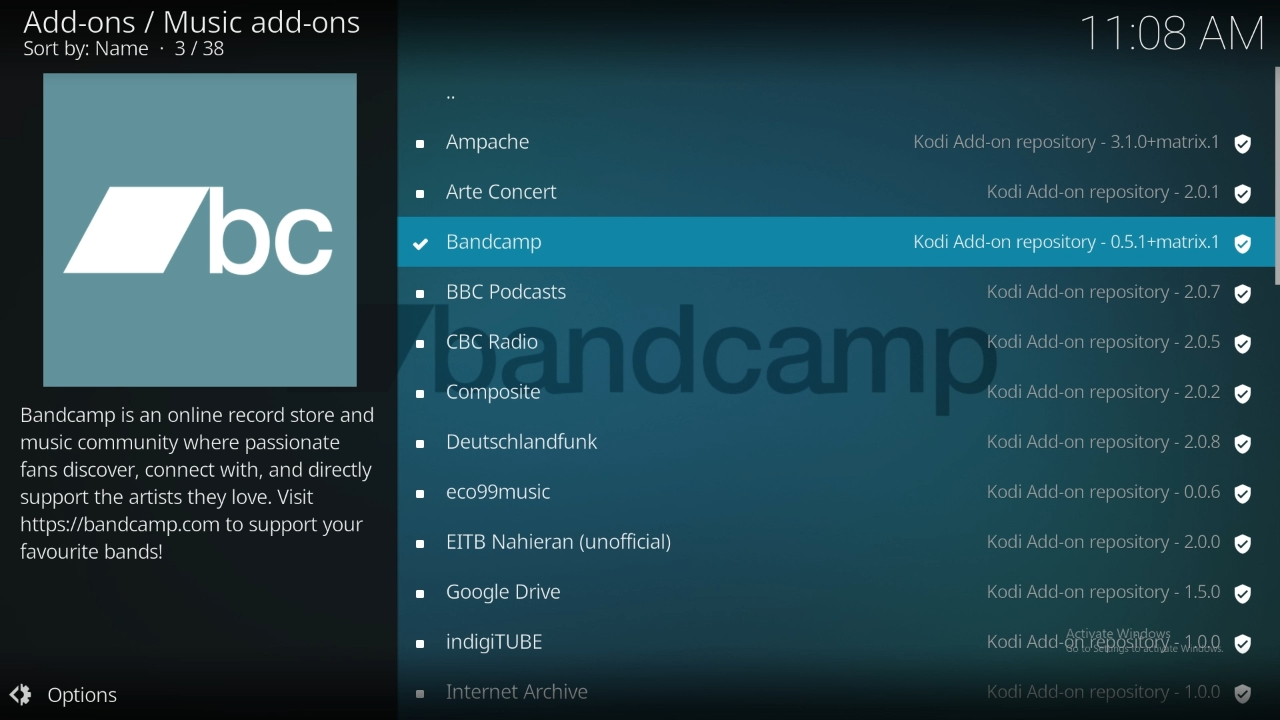 The height and width of the screenshot is (720, 1280). I want to click on description, so click(202, 512).